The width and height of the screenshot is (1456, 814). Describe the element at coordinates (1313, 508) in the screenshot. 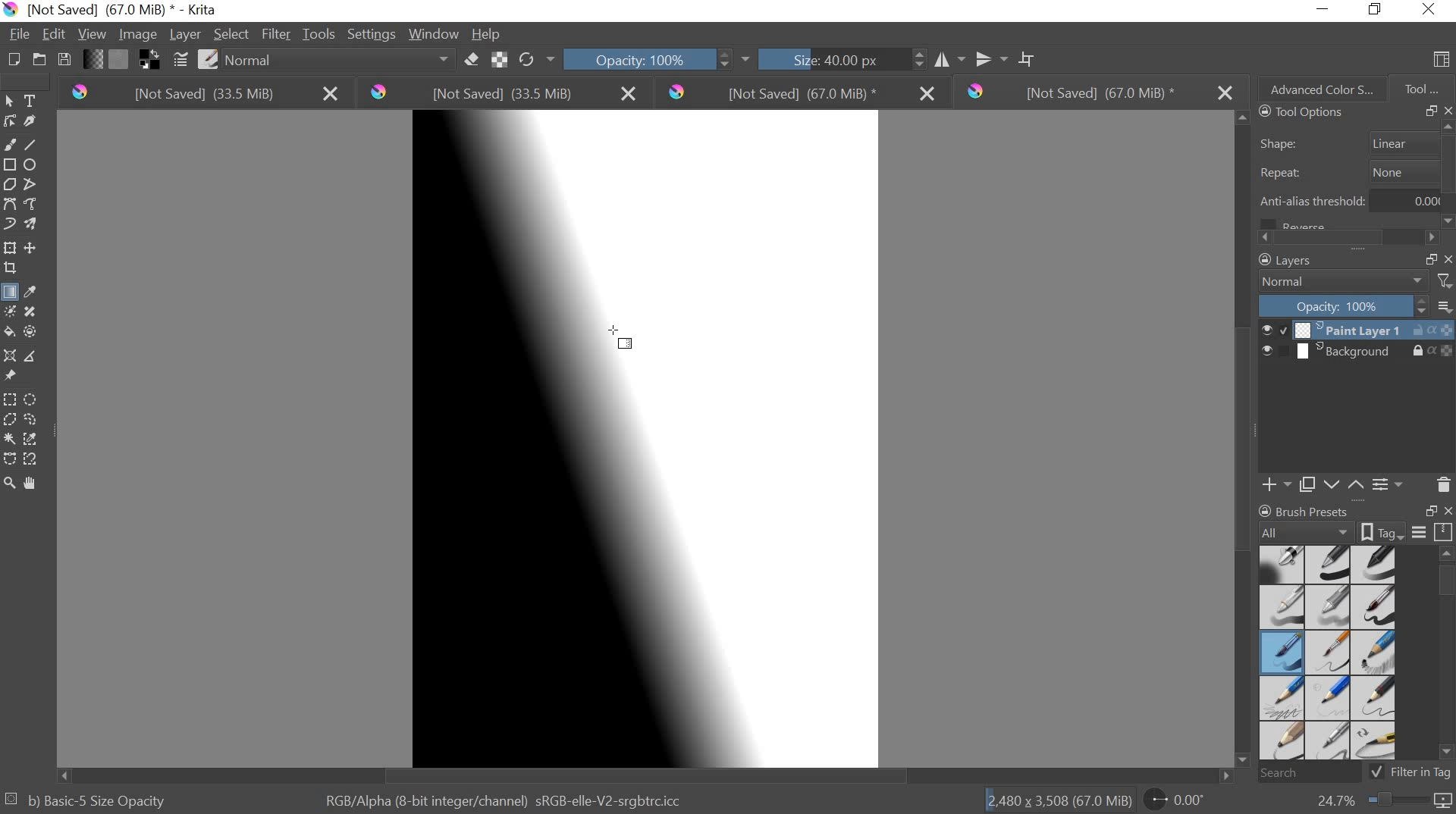

I see `BRUSH PROPERTIES` at that location.